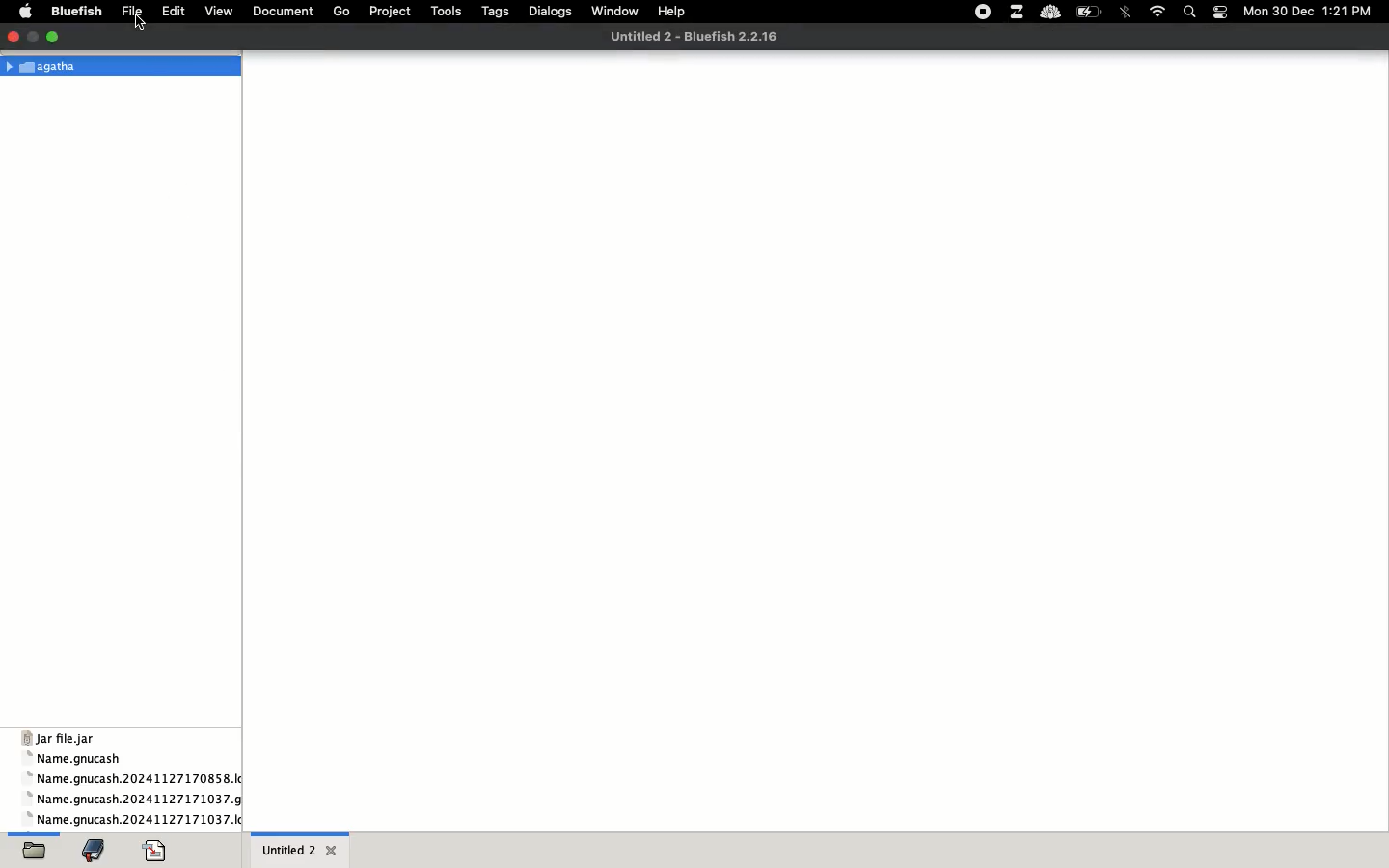 This screenshot has height=868, width=1389. Describe the element at coordinates (134, 799) in the screenshot. I see `name gnucash` at that location.